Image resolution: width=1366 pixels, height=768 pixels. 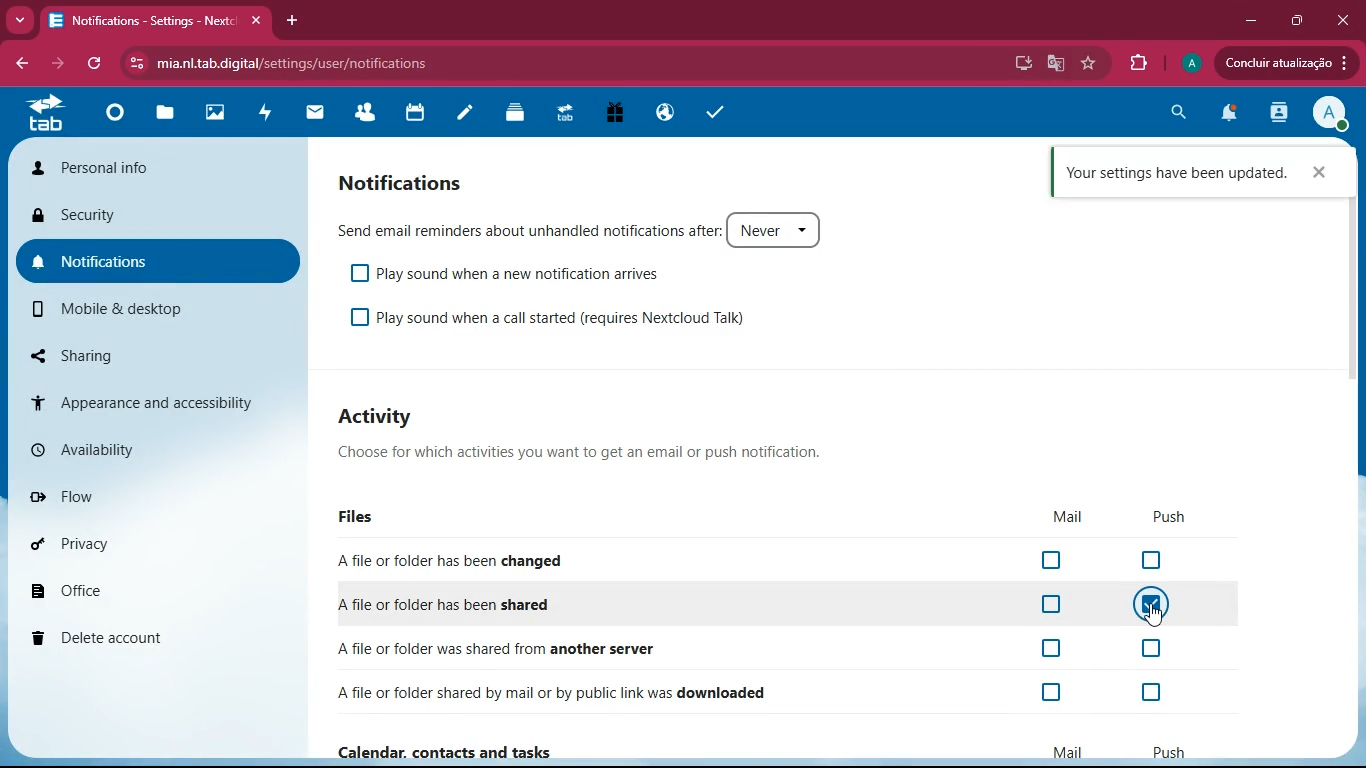 What do you see at coordinates (97, 540) in the screenshot?
I see `privacy` at bounding box center [97, 540].